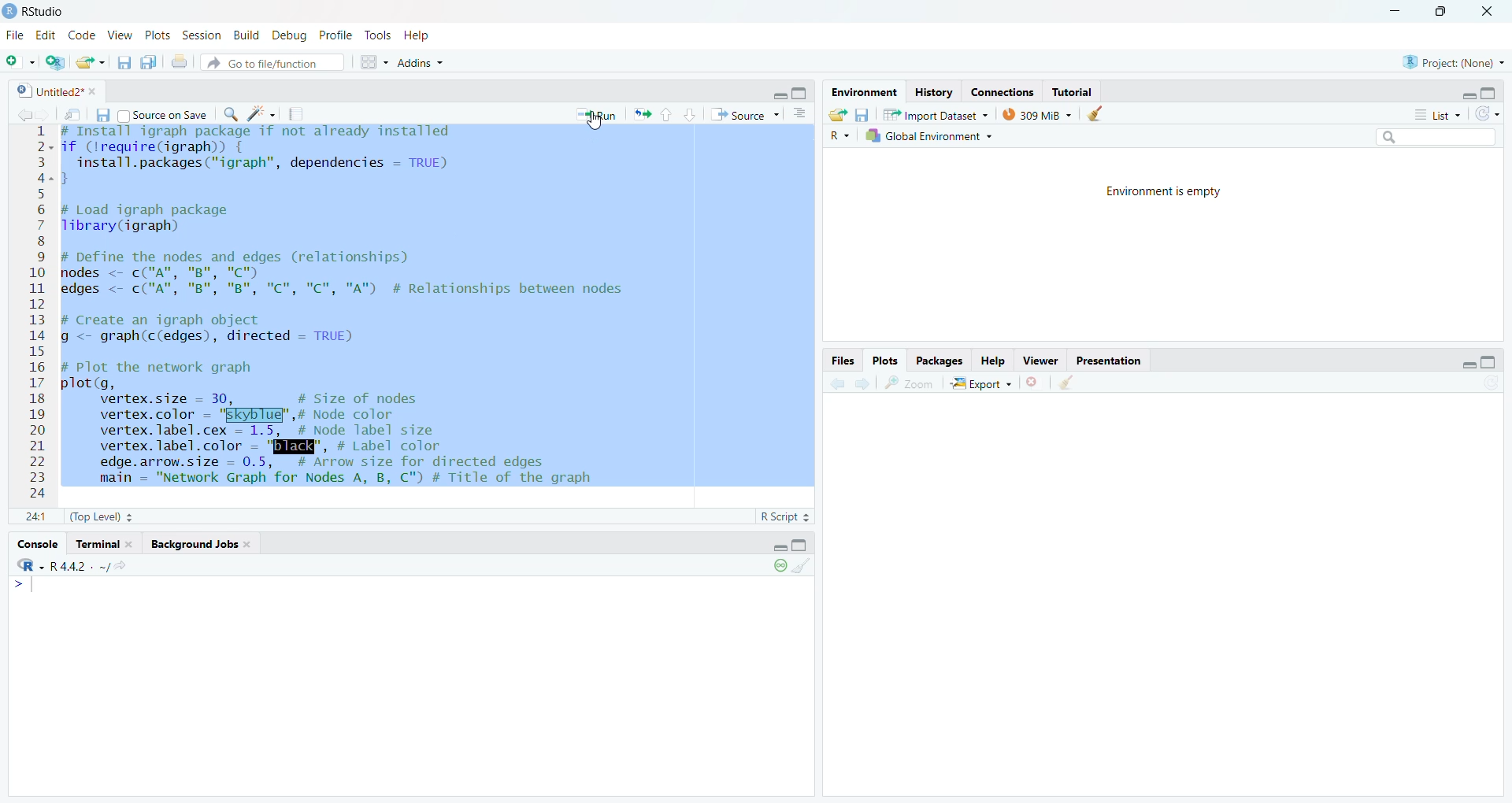 The image size is (1512, 803). I want to click on * Source ~, so click(746, 113).